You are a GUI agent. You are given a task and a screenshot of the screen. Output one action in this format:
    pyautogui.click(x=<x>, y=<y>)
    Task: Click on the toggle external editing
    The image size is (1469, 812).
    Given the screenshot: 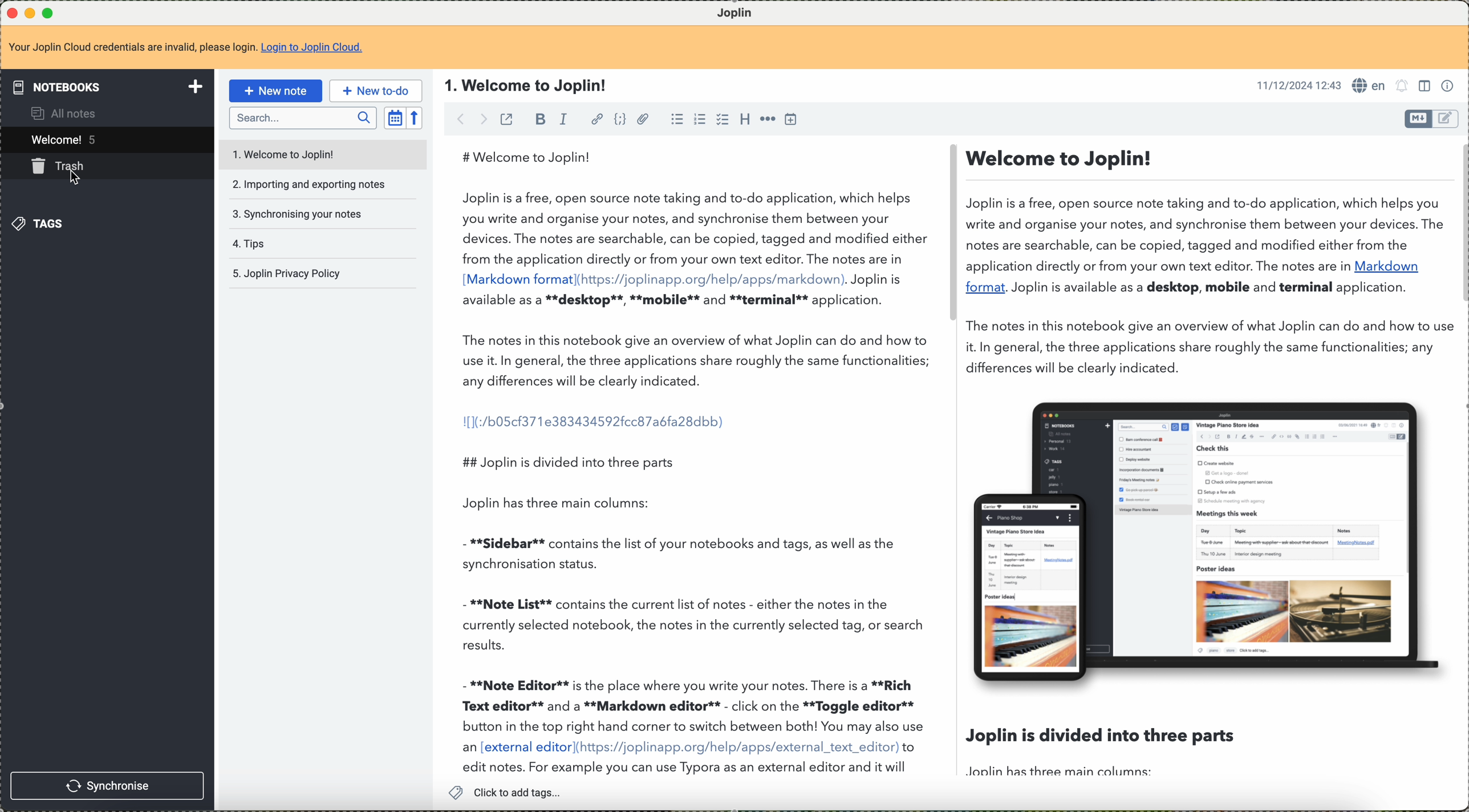 What is the action you would take?
    pyautogui.click(x=506, y=120)
    